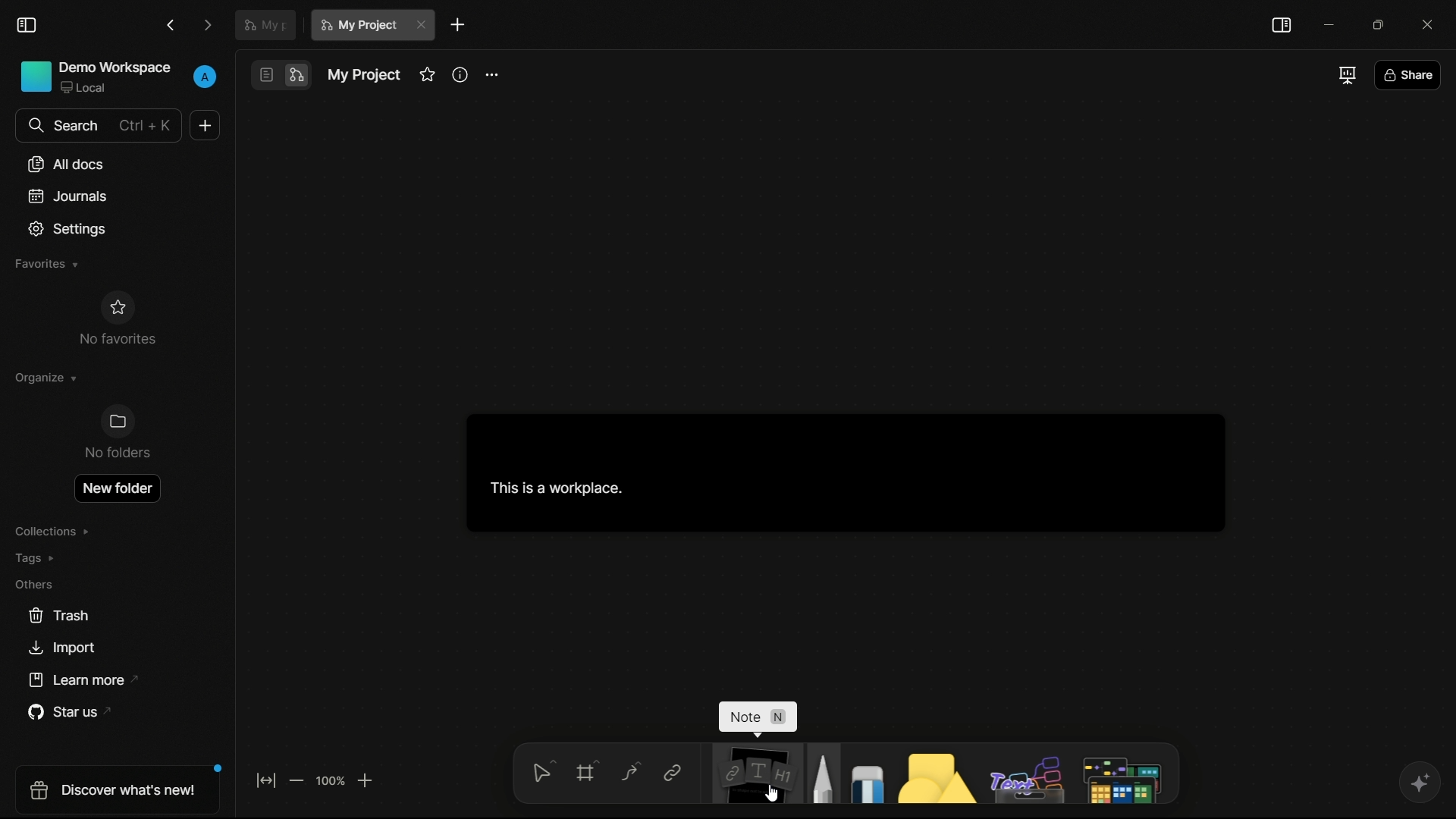 The height and width of the screenshot is (819, 1456). What do you see at coordinates (363, 72) in the screenshot?
I see `document name` at bounding box center [363, 72].